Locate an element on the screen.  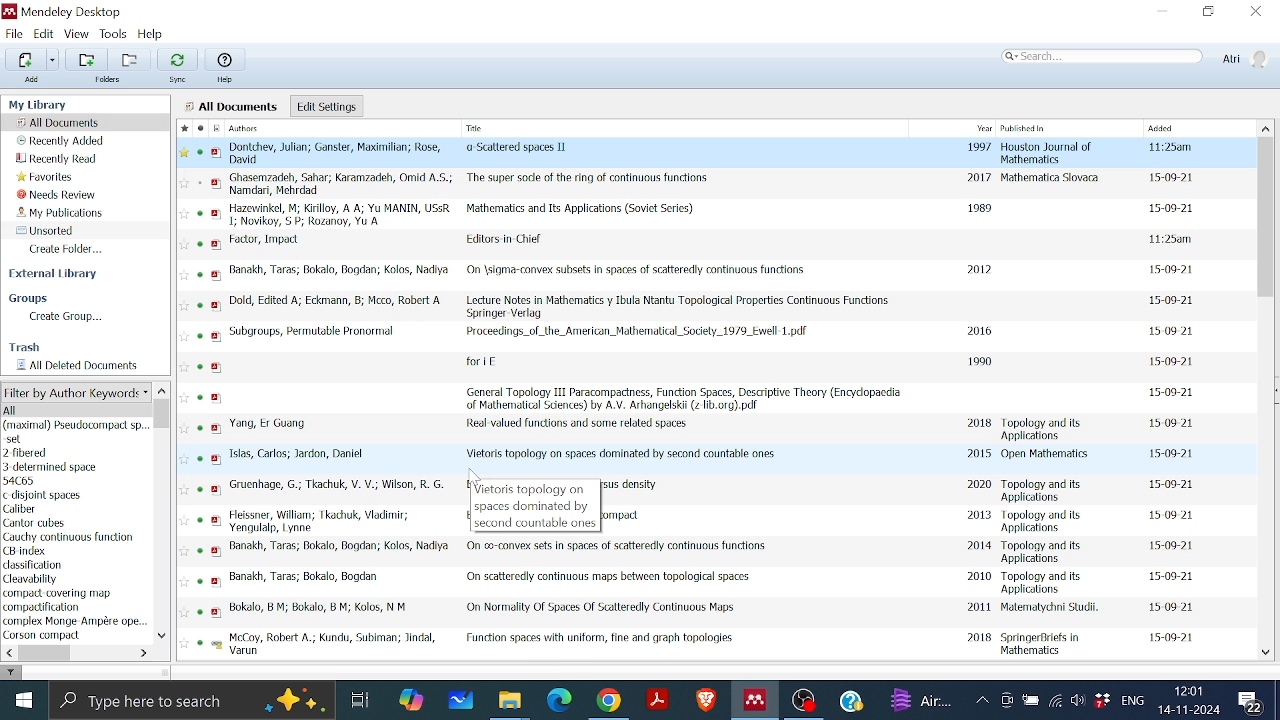
Show hidden Icons is located at coordinates (984, 699).